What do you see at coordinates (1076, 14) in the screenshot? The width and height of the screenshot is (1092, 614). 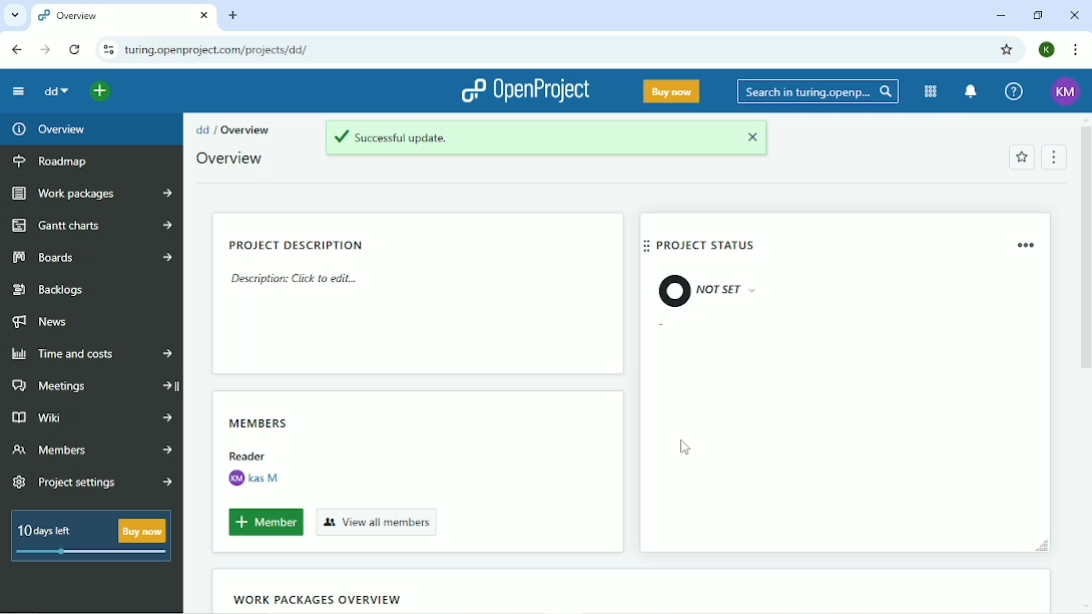 I see `Close` at bounding box center [1076, 14].